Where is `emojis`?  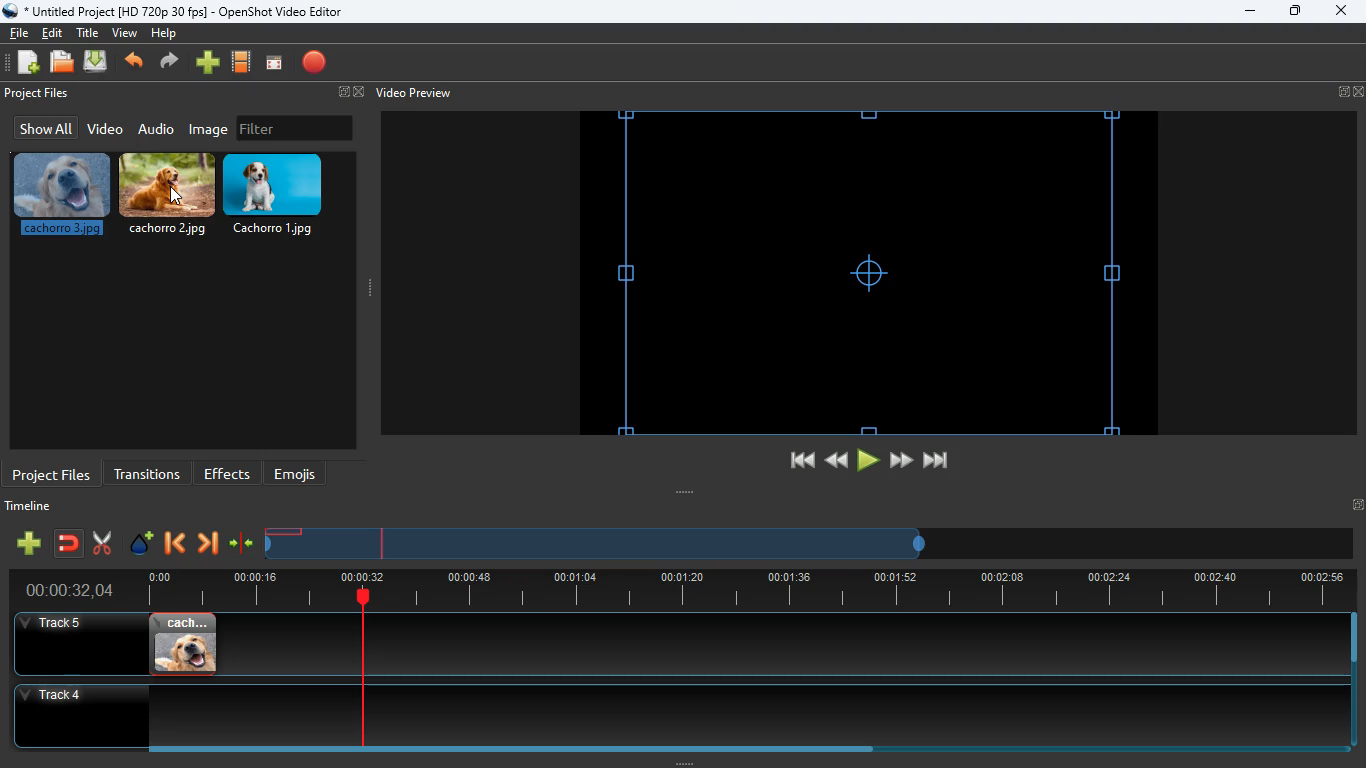
emojis is located at coordinates (300, 474).